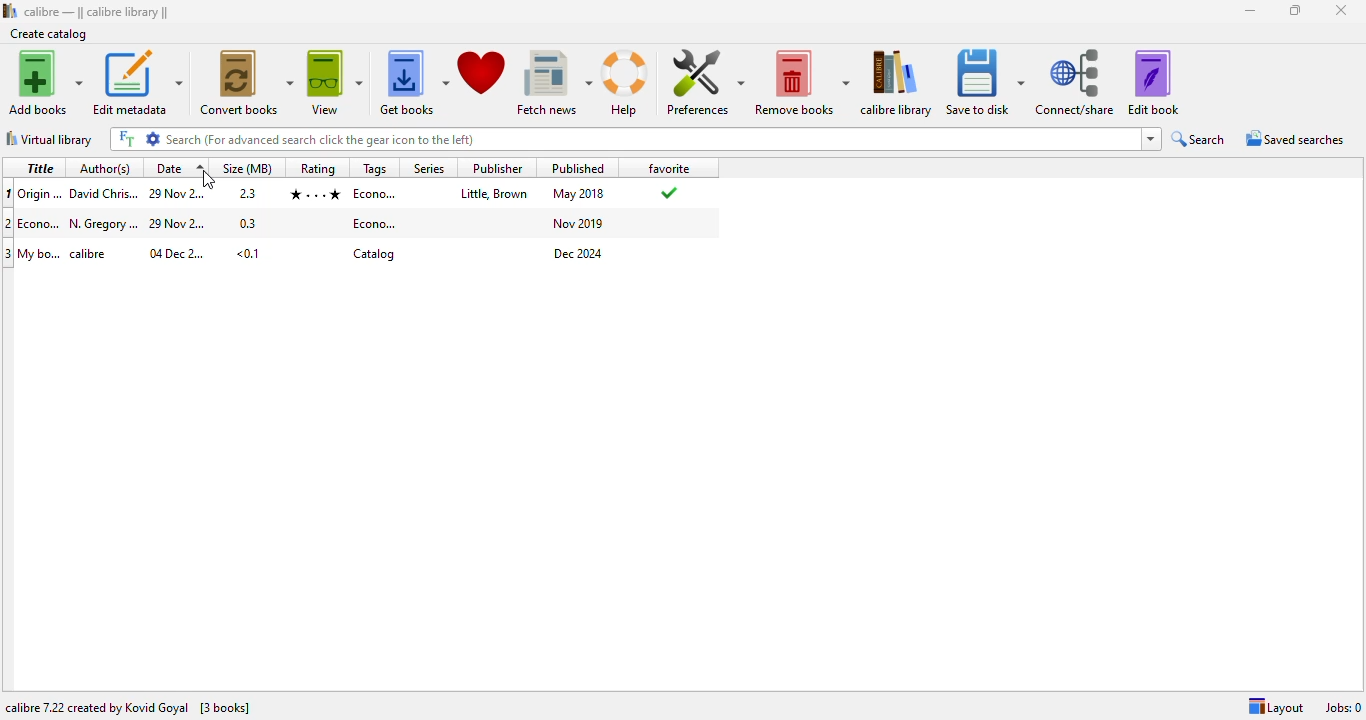 The image size is (1366, 720). Describe the element at coordinates (178, 167) in the screenshot. I see `date` at that location.